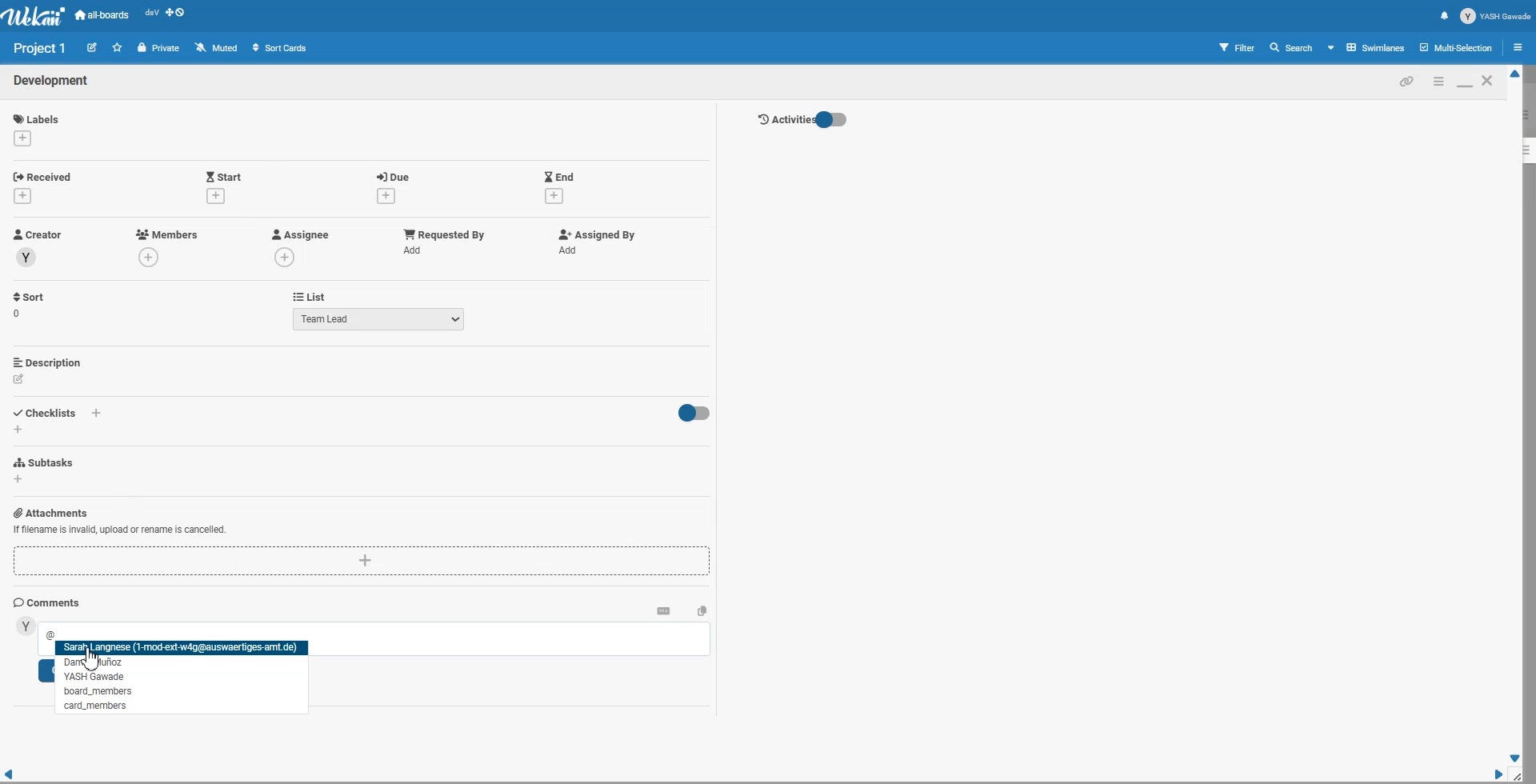  I want to click on add, so click(19, 480).